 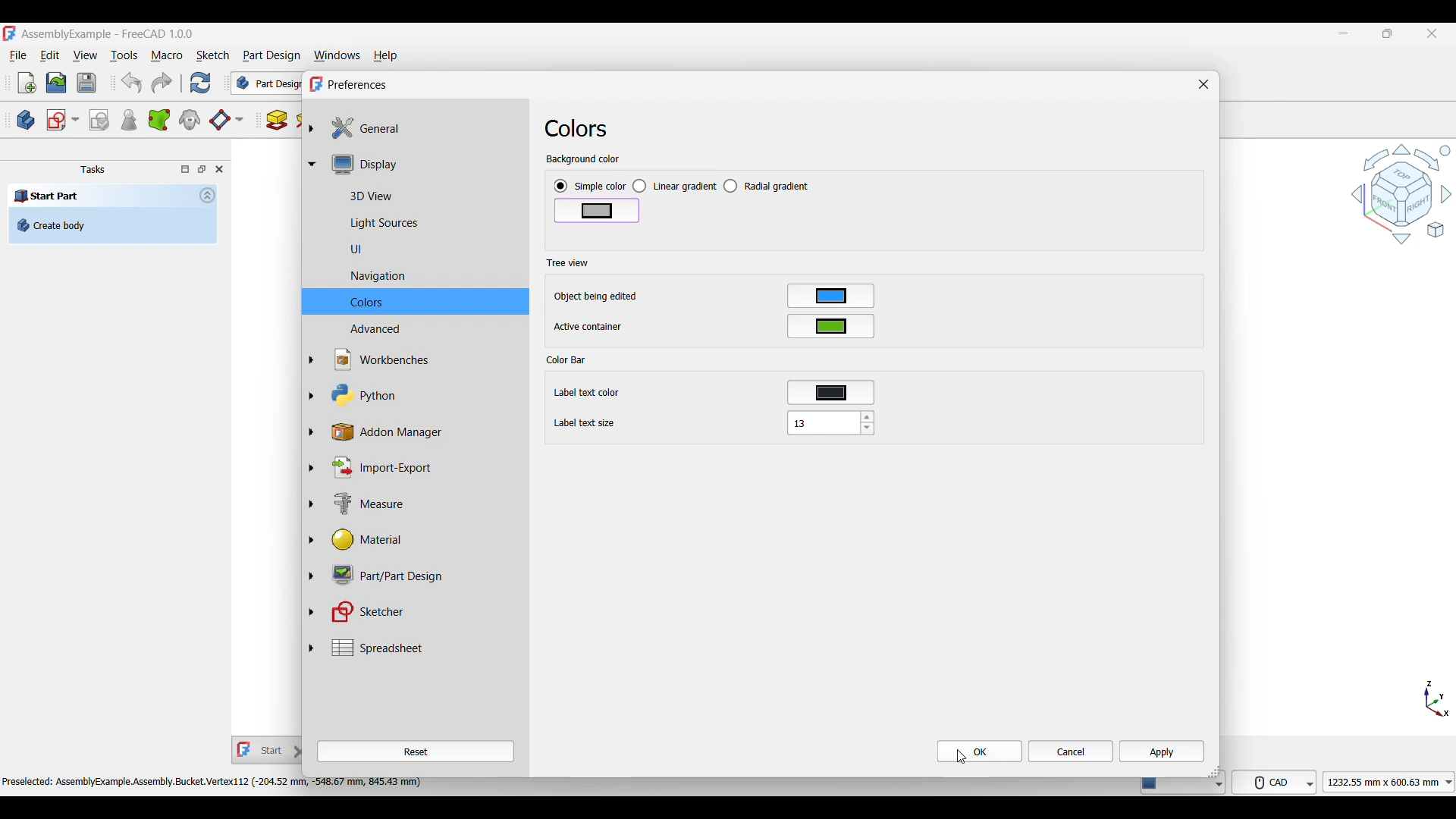 What do you see at coordinates (1164, 749) in the screenshot?
I see `apply` at bounding box center [1164, 749].